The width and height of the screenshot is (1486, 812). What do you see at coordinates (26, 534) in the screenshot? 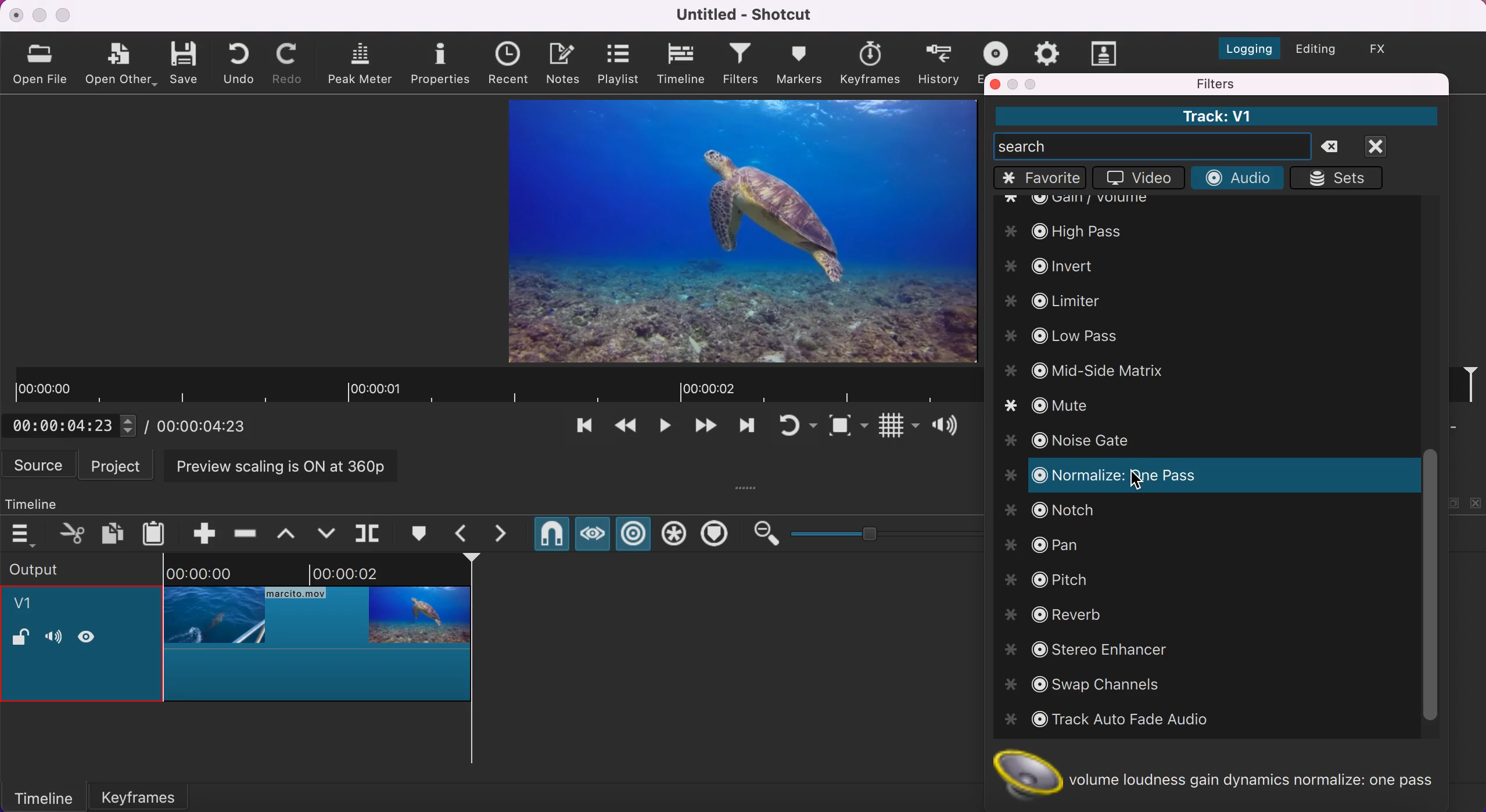
I see `timeline menu` at bounding box center [26, 534].